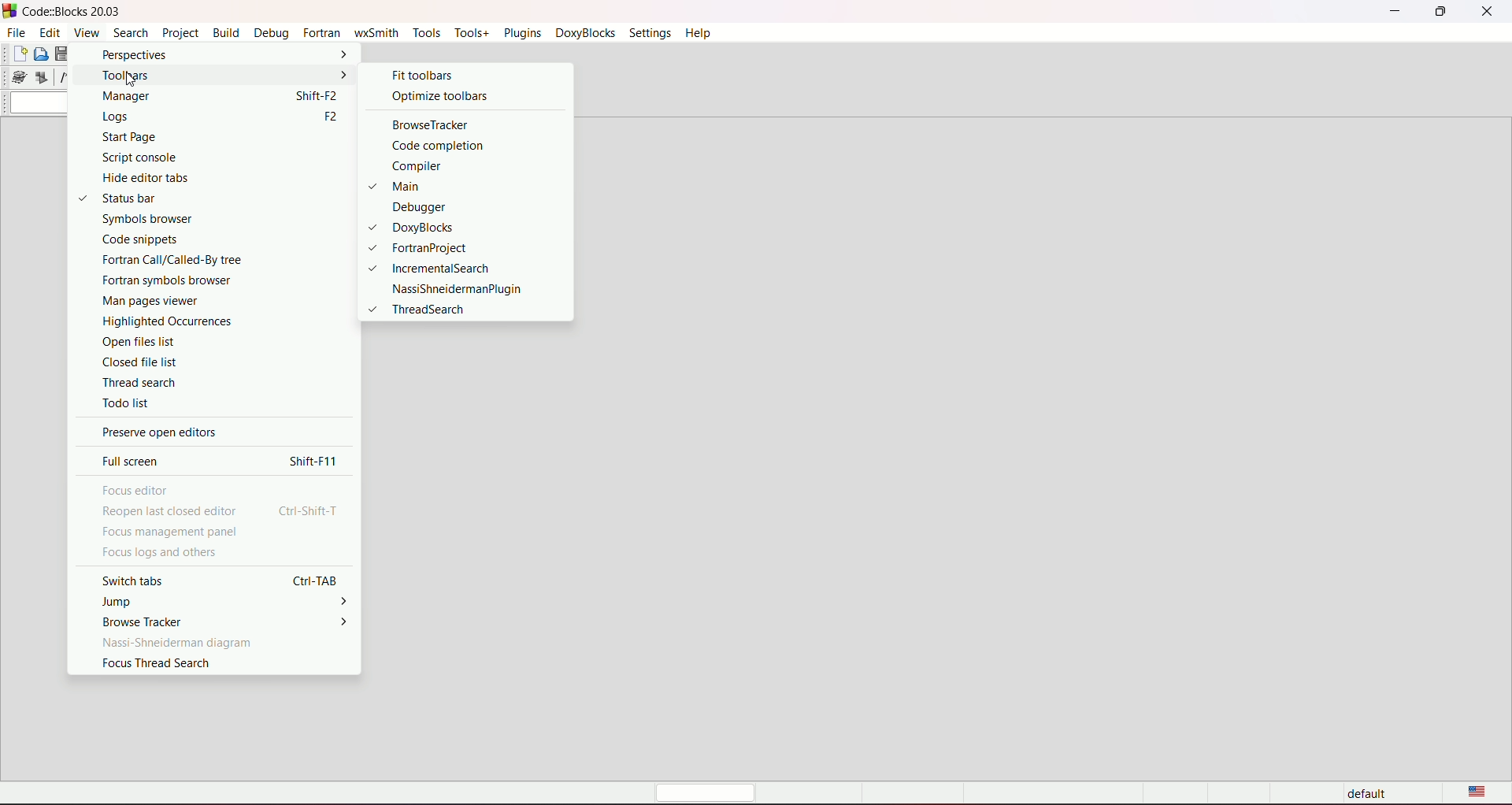  I want to click on debug, so click(271, 33).